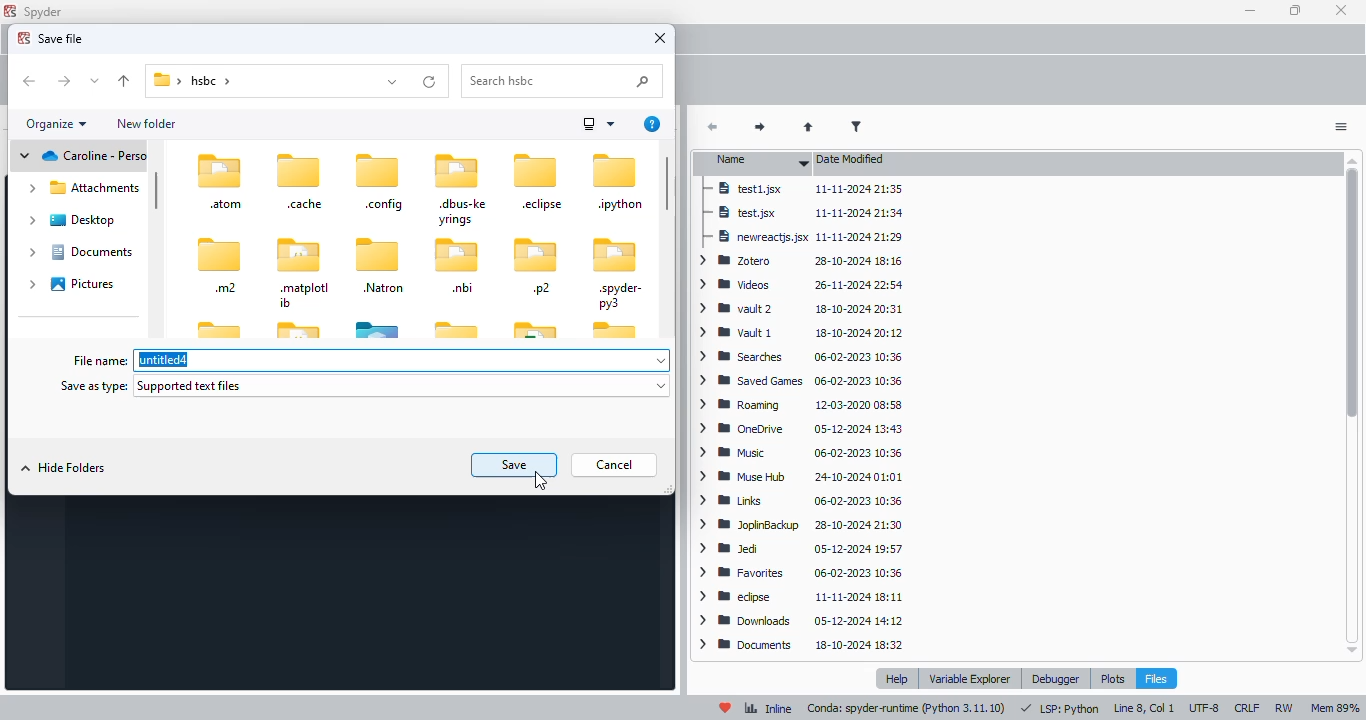 This screenshot has width=1366, height=720. What do you see at coordinates (1284, 708) in the screenshot?
I see `RW` at bounding box center [1284, 708].